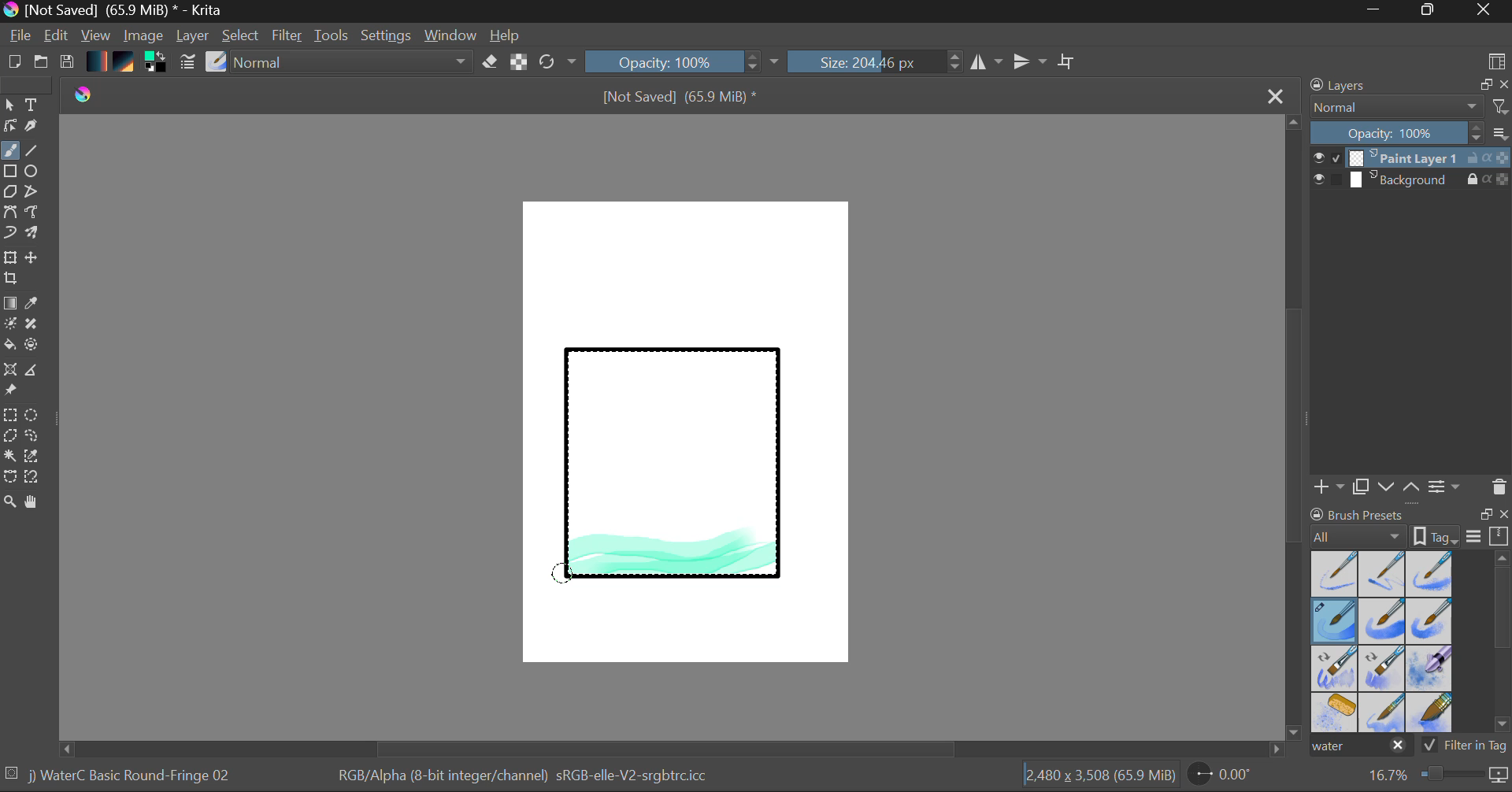 The image size is (1512, 792). What do you see at coordinates (1412, 134) in the screenshot?
I see `Layer Opacity` at bounding box center [1412, 134].